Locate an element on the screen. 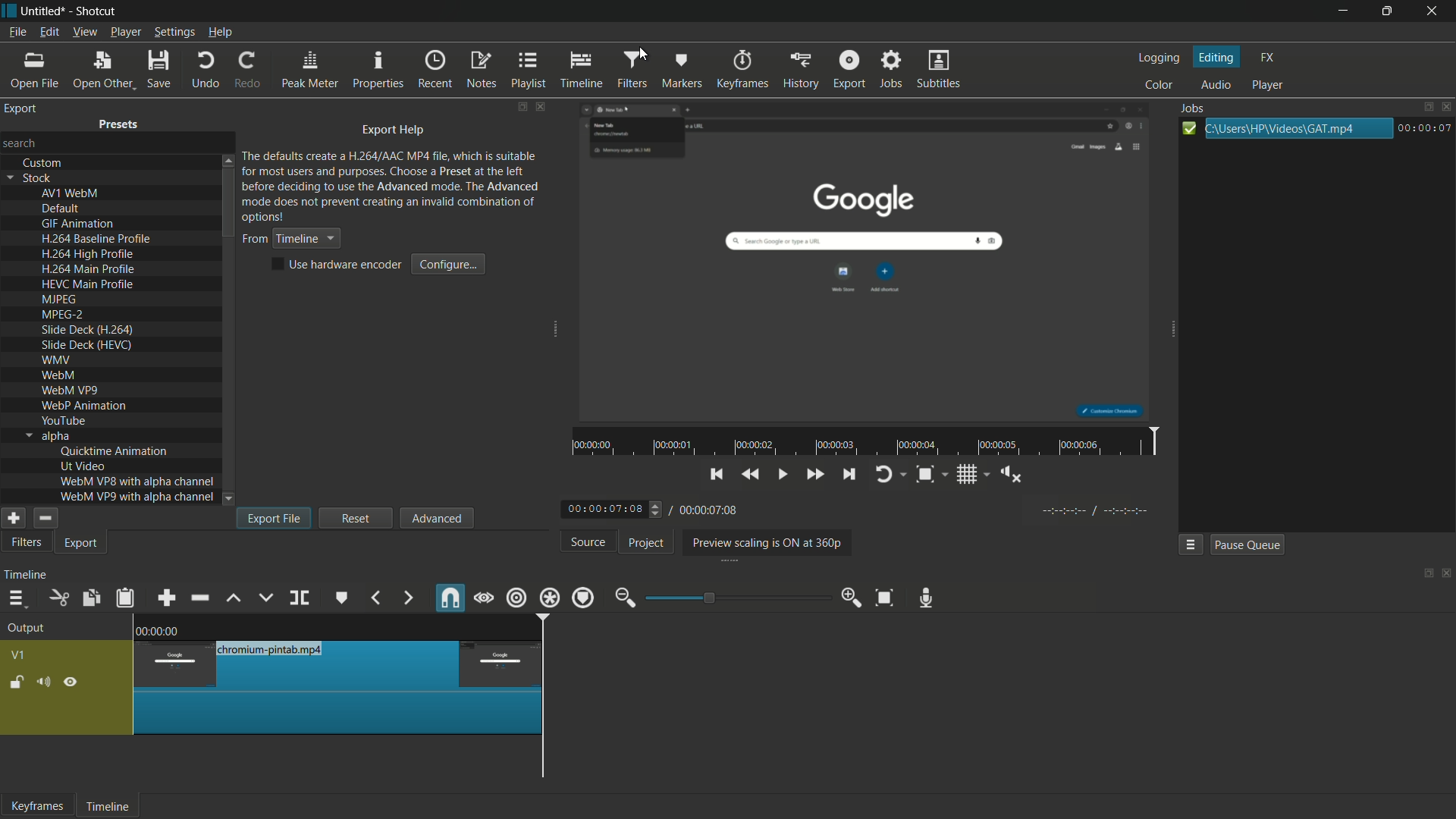 The width and height of the screenshot is (1456, 819). Stock is located at coordinates (31, 177).